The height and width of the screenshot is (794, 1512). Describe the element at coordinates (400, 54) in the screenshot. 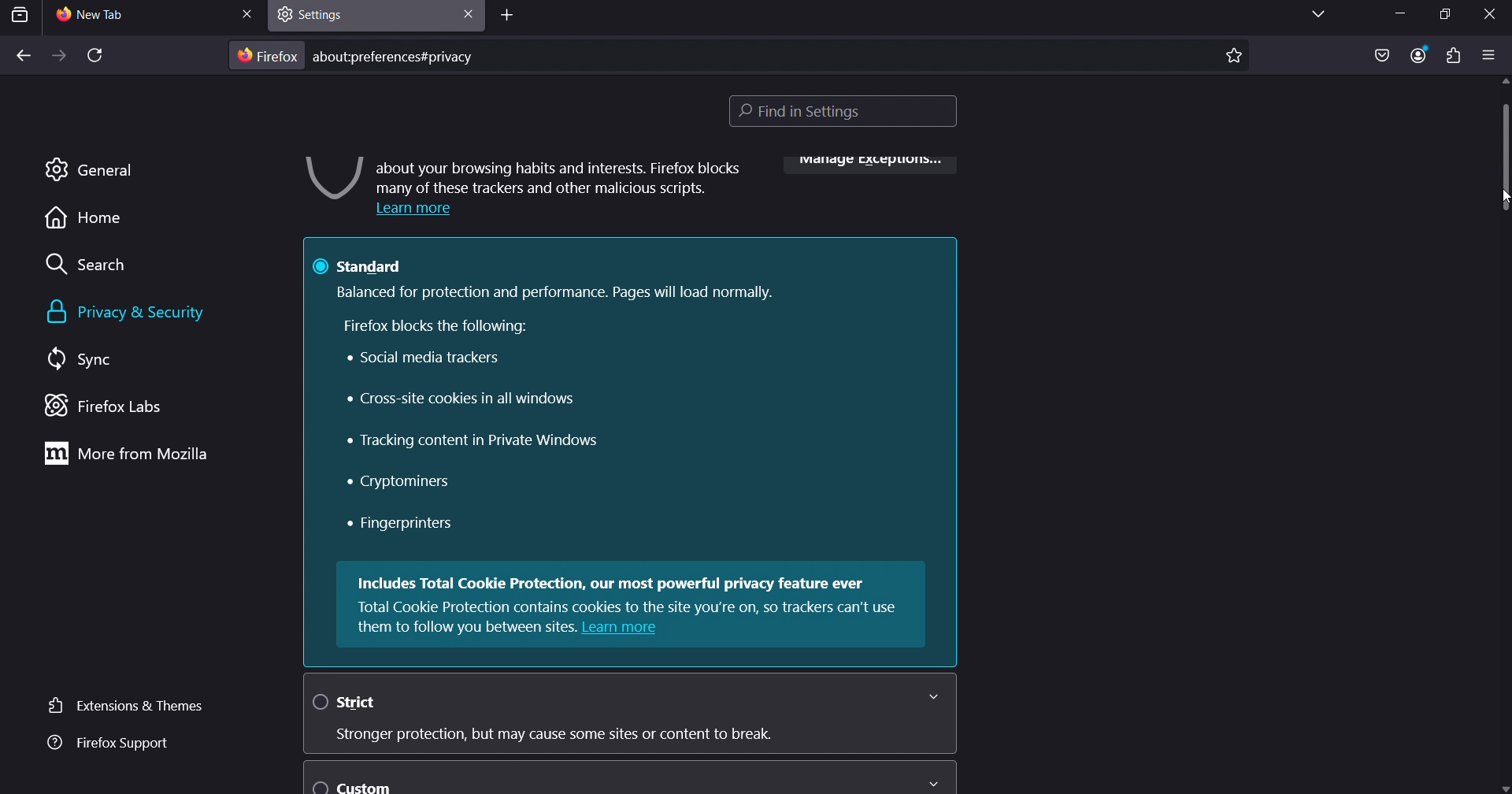

I see `about:preferences#privacy` at that location.